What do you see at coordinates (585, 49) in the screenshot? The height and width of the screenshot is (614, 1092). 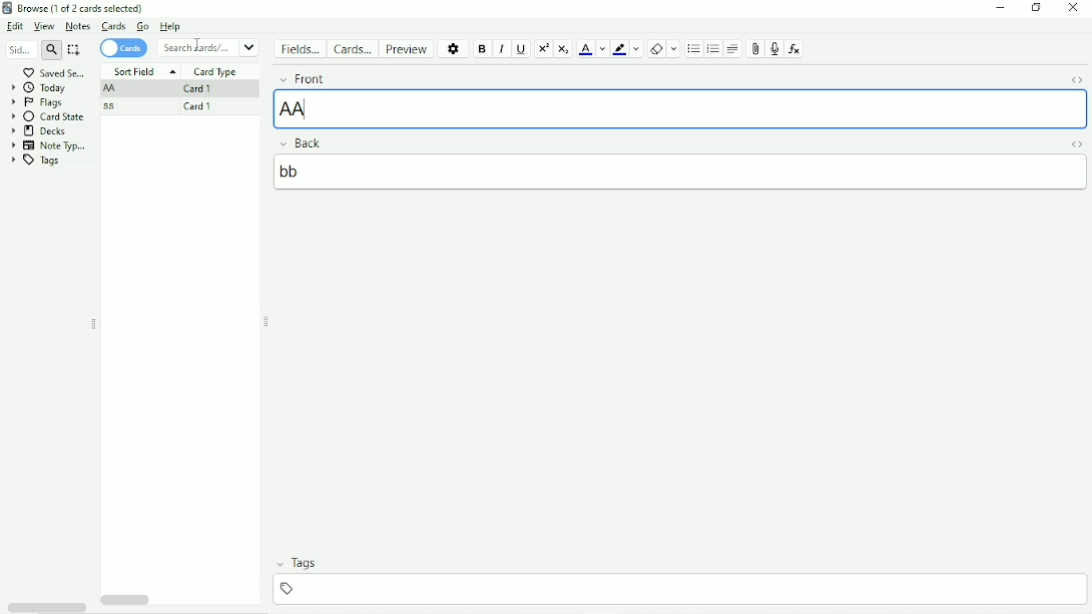 I see `Text color` at bounding box center [585, 49].